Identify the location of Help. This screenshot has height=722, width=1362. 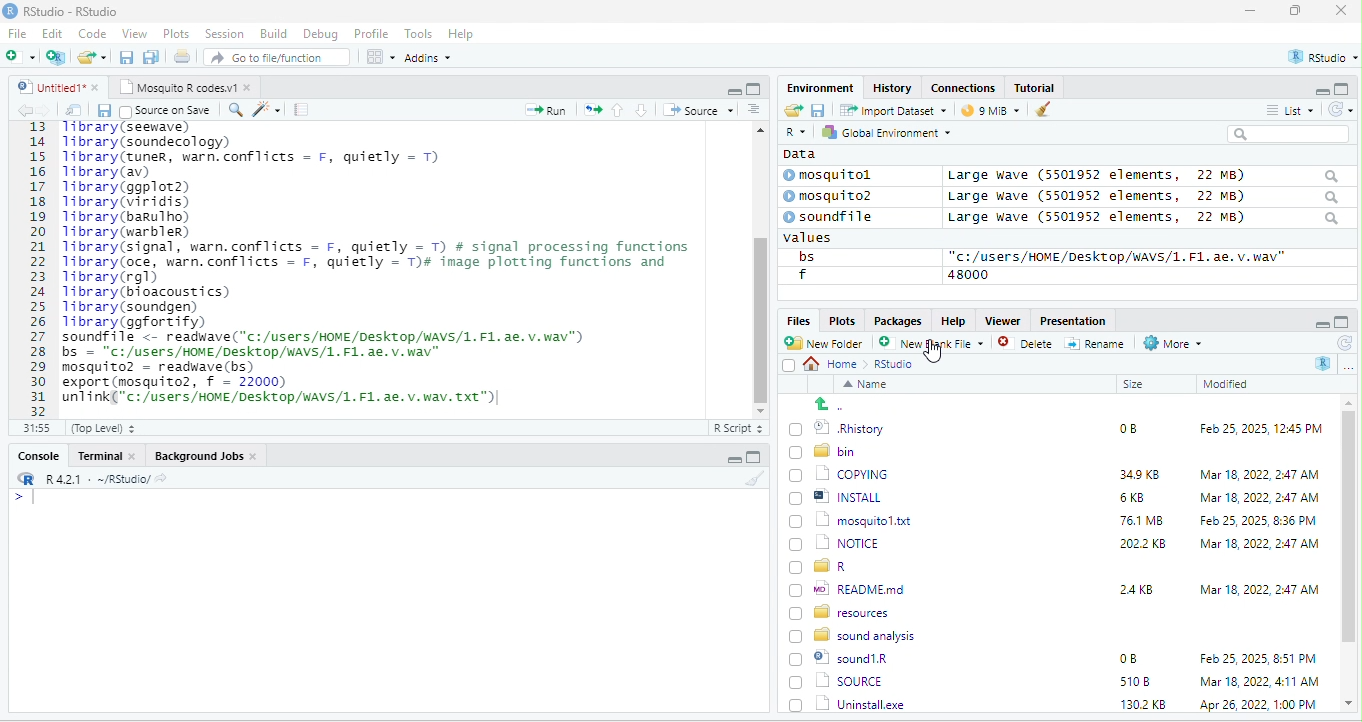
(953, 319).